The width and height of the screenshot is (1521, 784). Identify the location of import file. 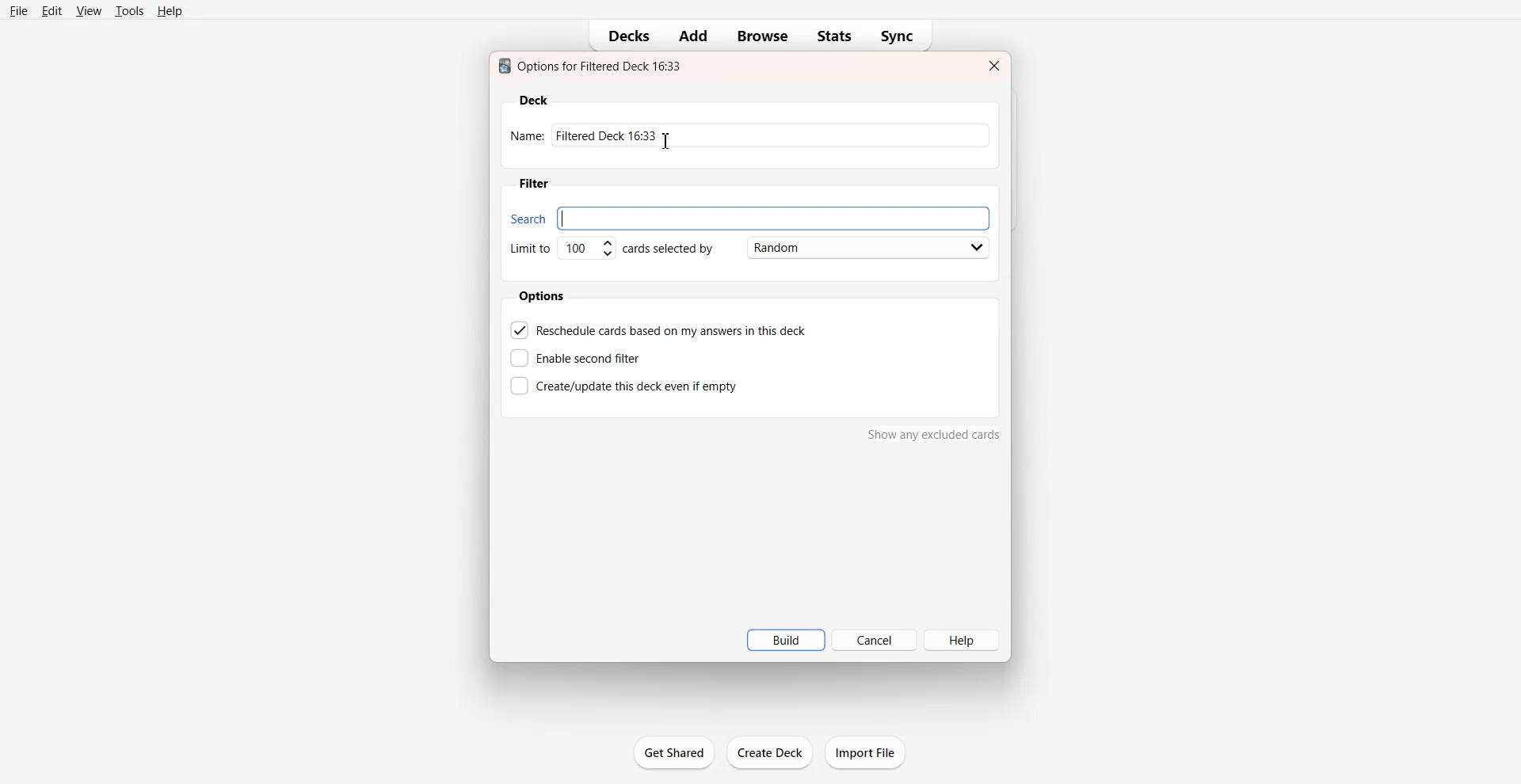
(871, 752).